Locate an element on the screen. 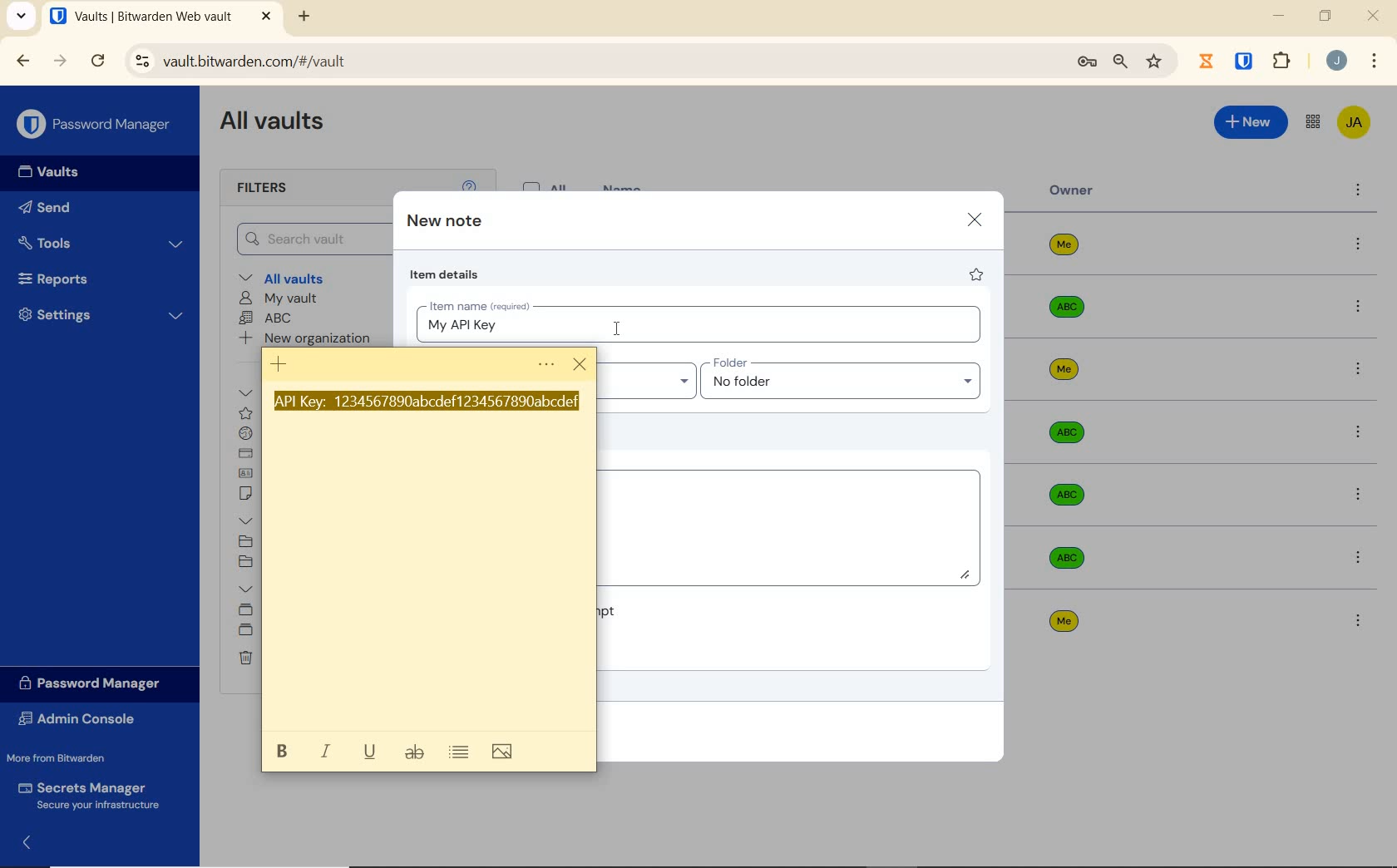  secure note is located at coordinates (250, 496).